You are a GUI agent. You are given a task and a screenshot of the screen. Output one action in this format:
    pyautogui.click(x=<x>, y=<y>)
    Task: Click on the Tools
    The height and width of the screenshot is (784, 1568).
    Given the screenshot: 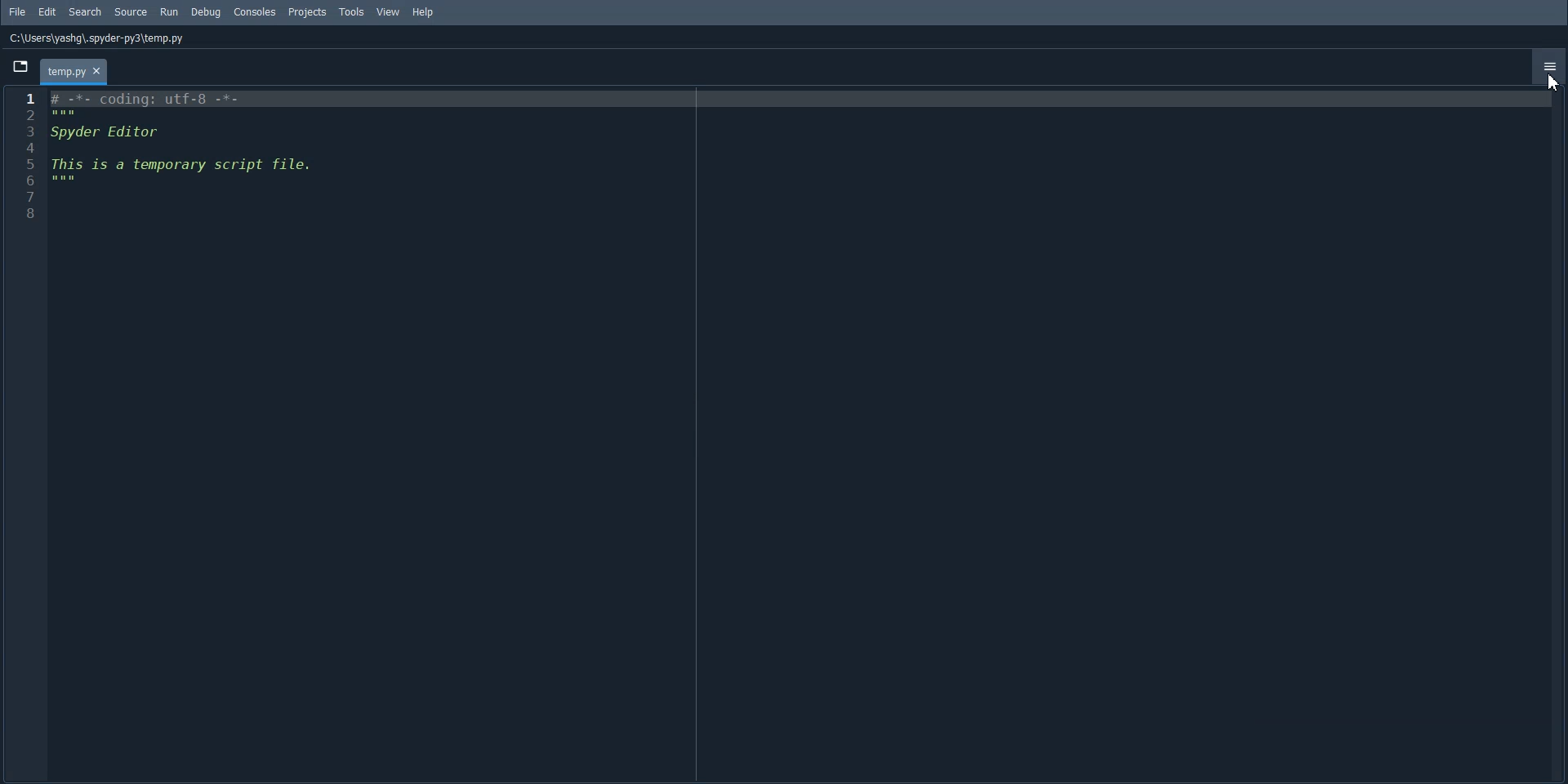 What is the action you would take?
    pyautogui.click(x=353, y=11)
    